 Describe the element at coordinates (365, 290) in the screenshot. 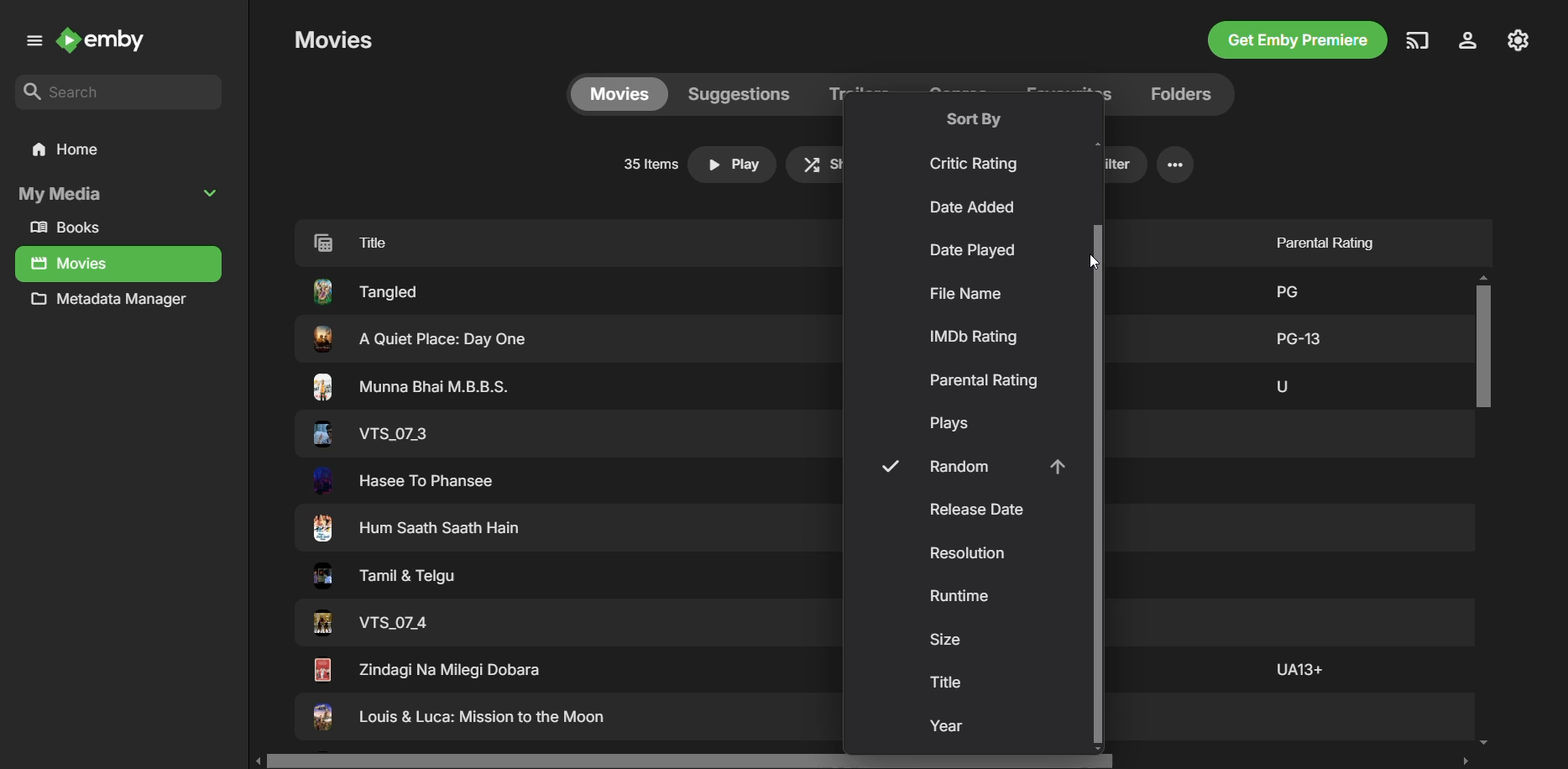

I see `` at that location.